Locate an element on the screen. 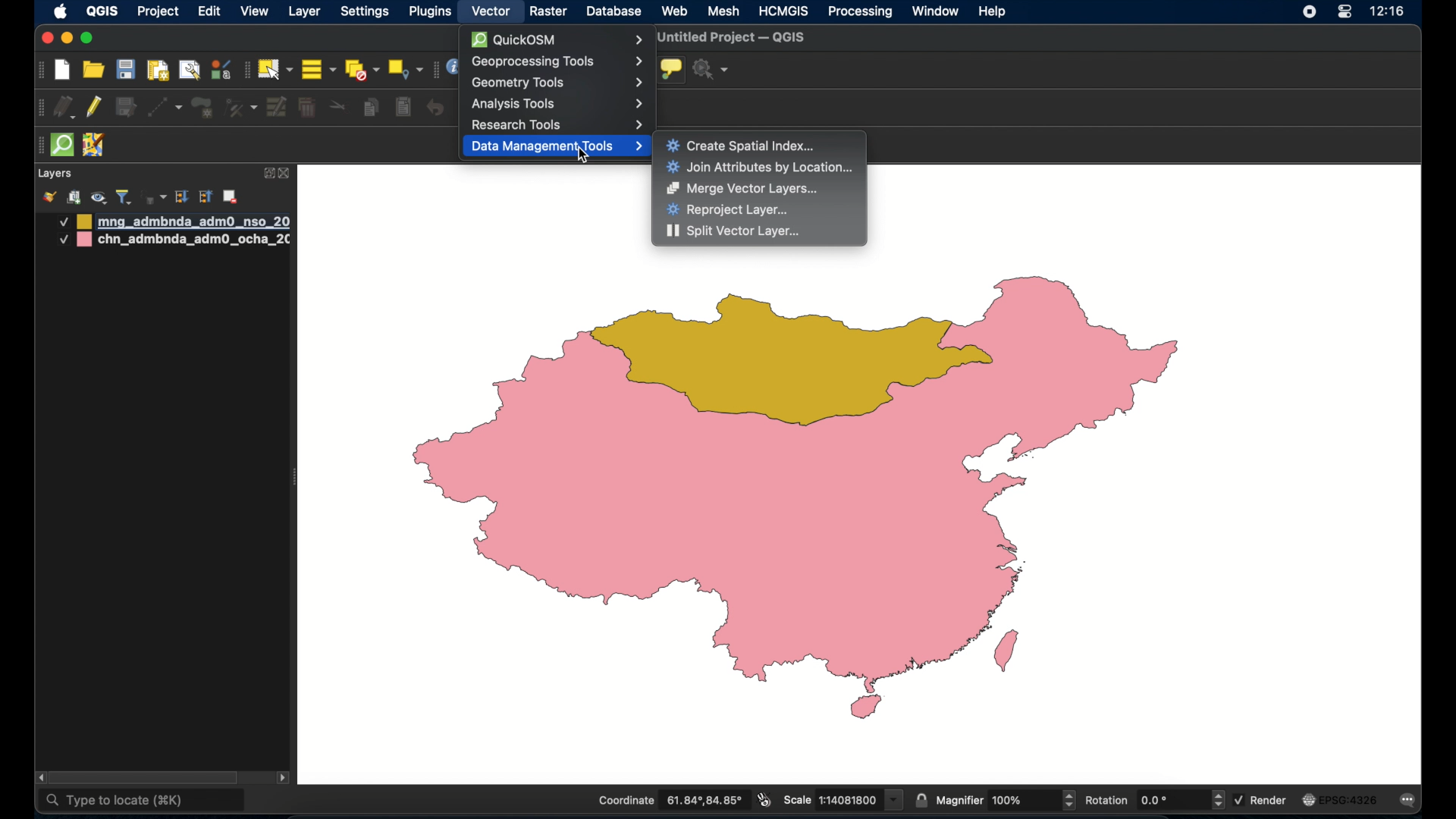 The width and height of the screenshot is (1456, 819). delet selected is located at coordinates (306, 108).